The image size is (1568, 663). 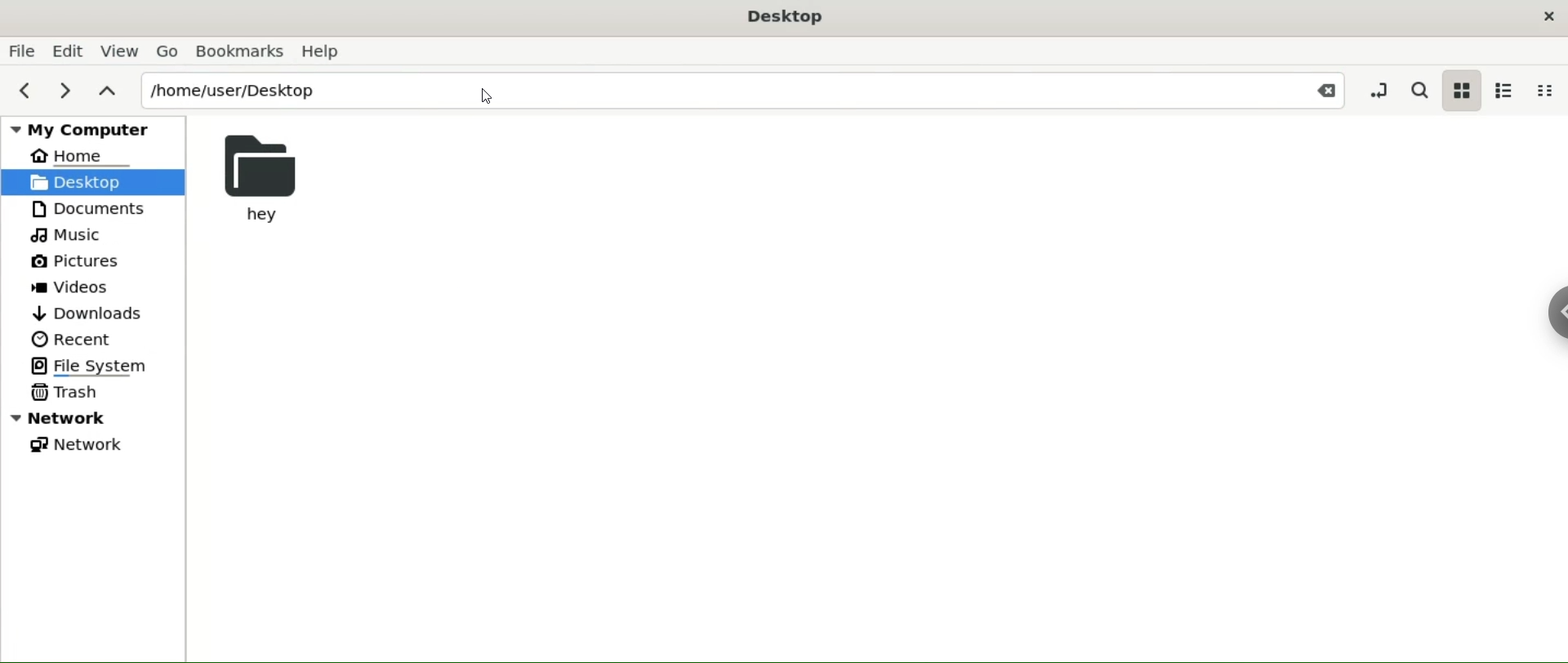 What do you see at coordinates (66, 52) in the screenshot?
I see `edit` at bounding box center [66, 52].